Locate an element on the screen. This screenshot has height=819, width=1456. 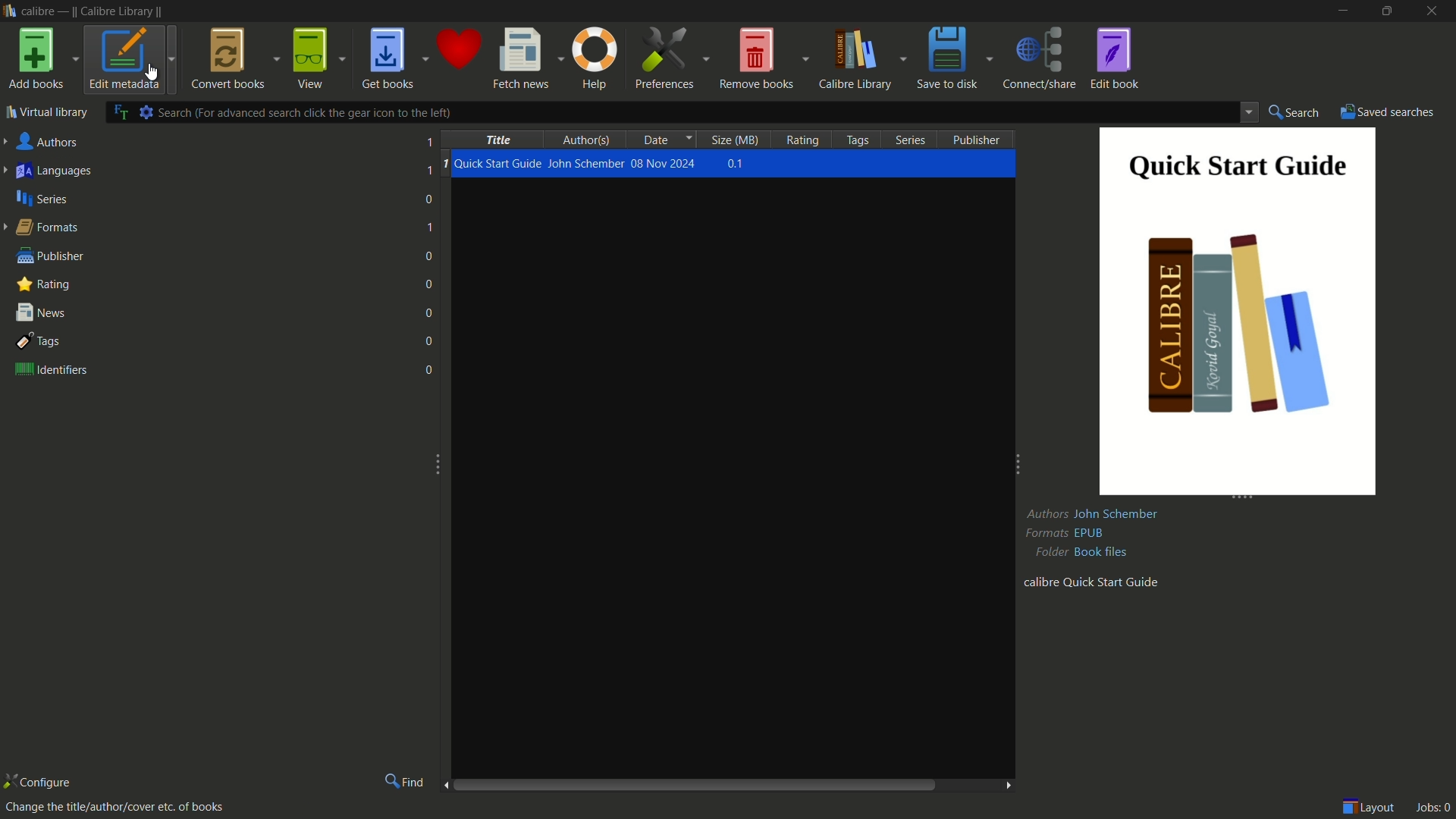
search is located at coordinates (1296, 111).